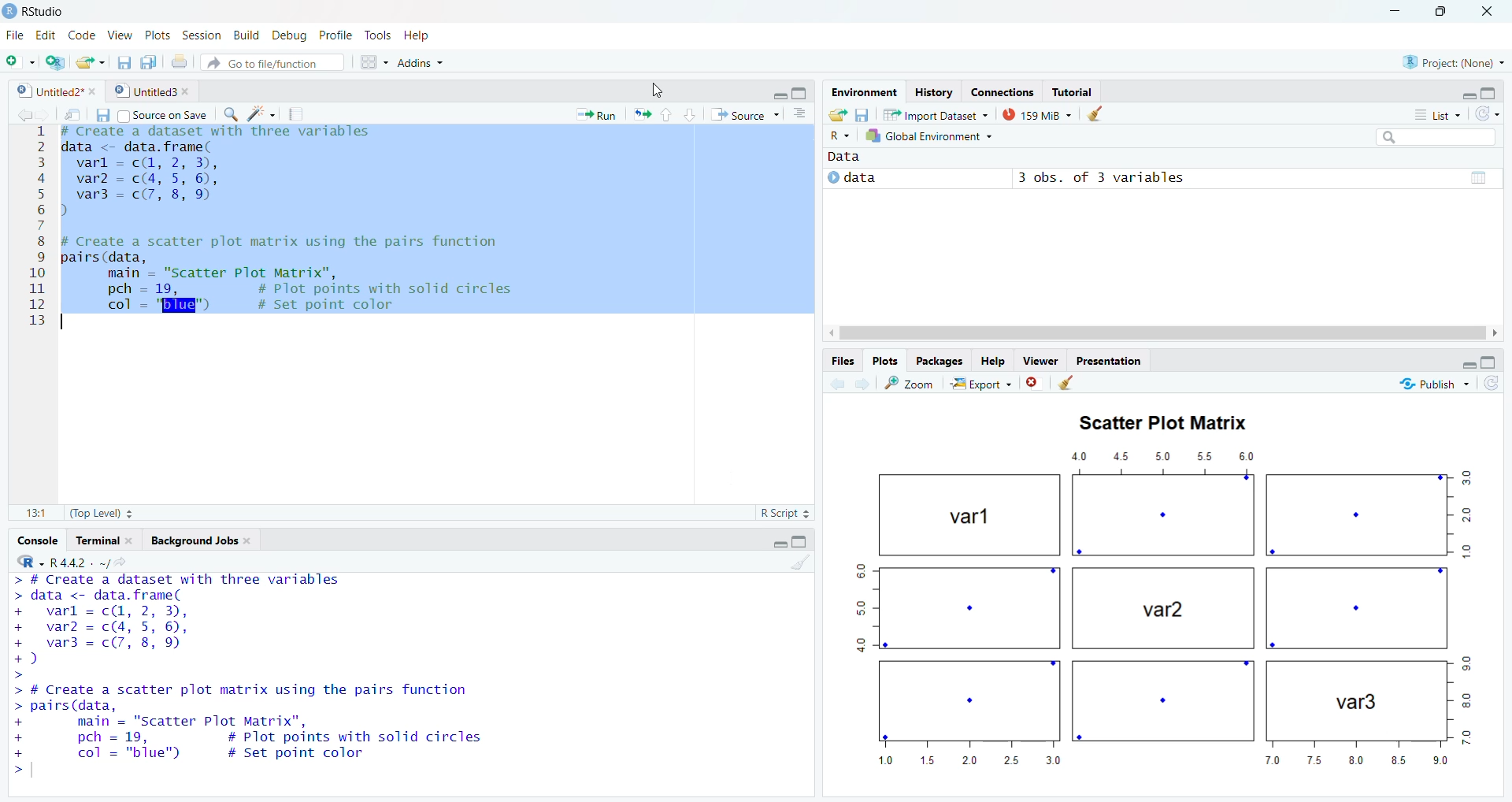 This screenshot has height=802, width=1512. What do you see at coordinates (1077, 90) in the screenshot?
I see `Tutorial` at bounding box center [1077, 90].